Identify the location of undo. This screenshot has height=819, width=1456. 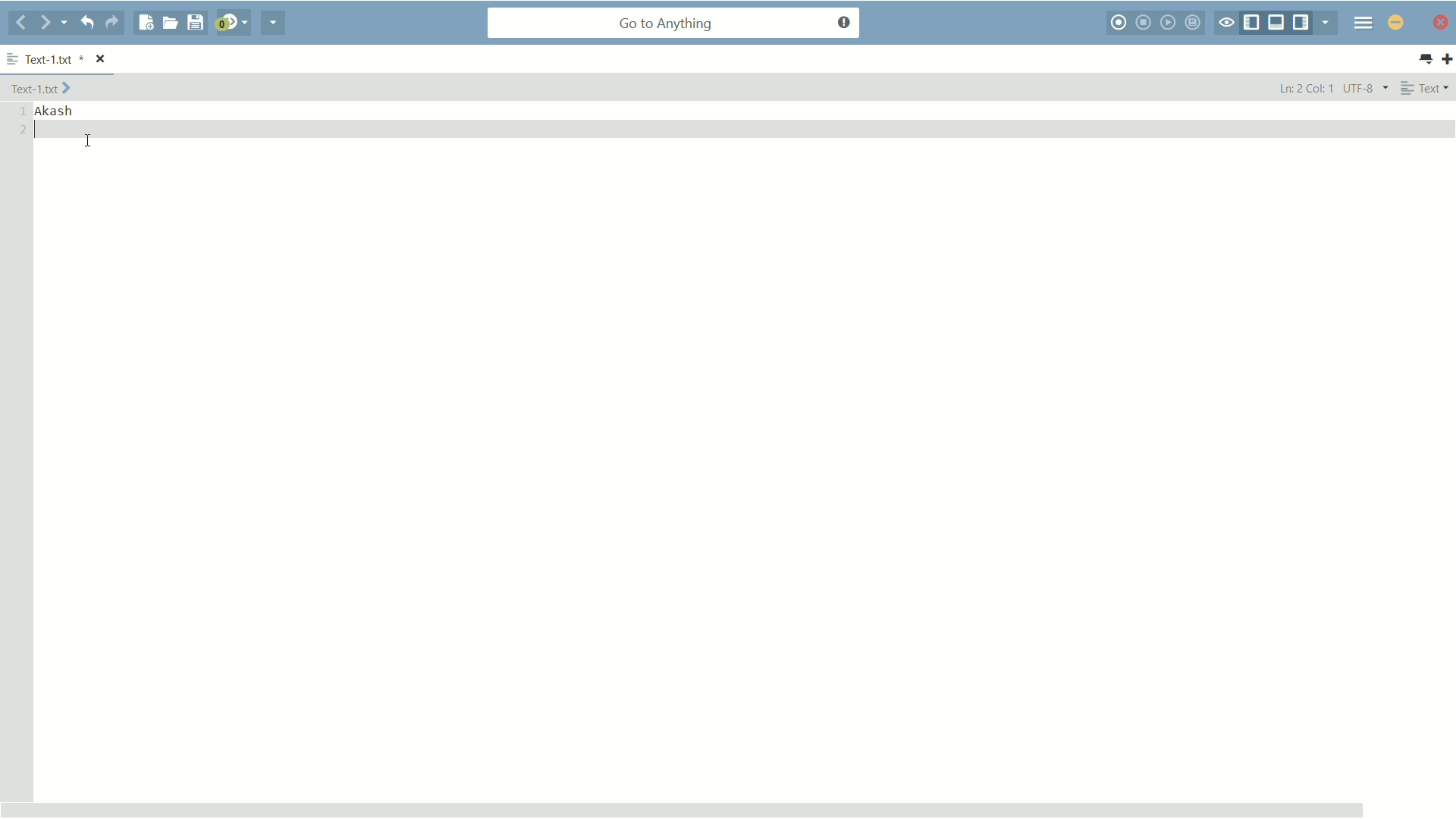
(87, 24).